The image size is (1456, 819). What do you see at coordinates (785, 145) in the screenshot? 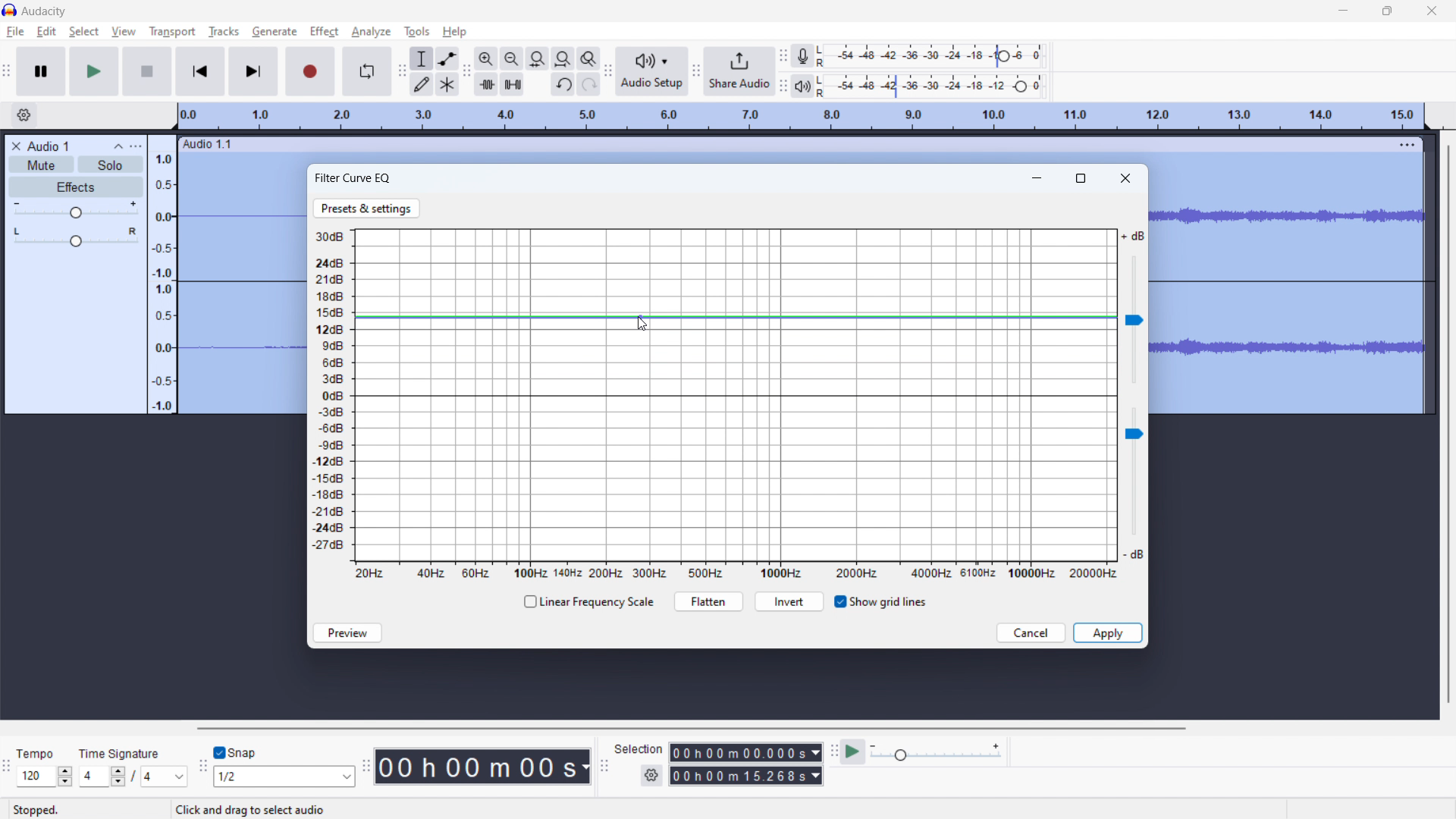
I see `hold to move` at bounding box center [785, 145].